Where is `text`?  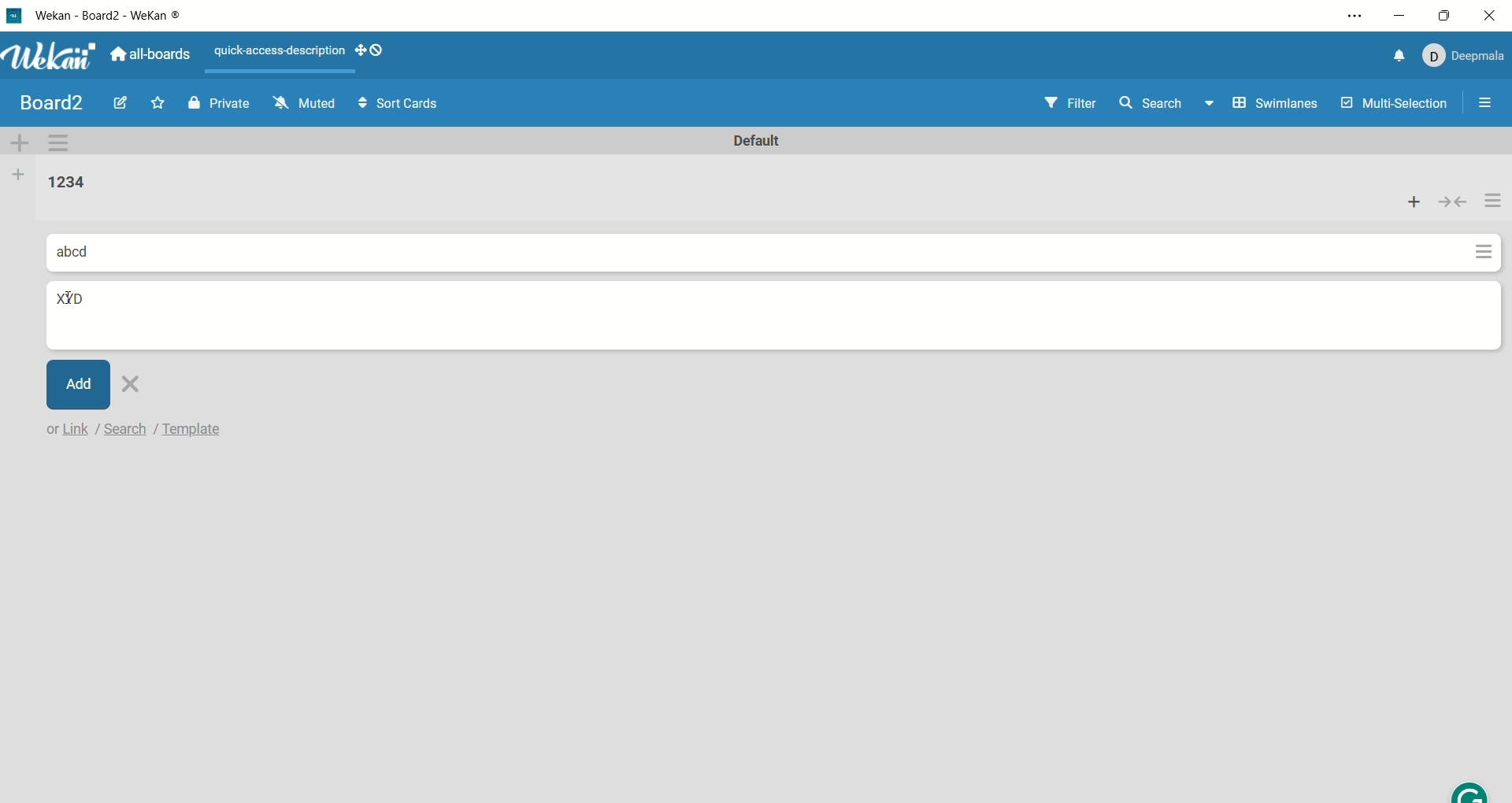 text is located at coordinates (272, 48).